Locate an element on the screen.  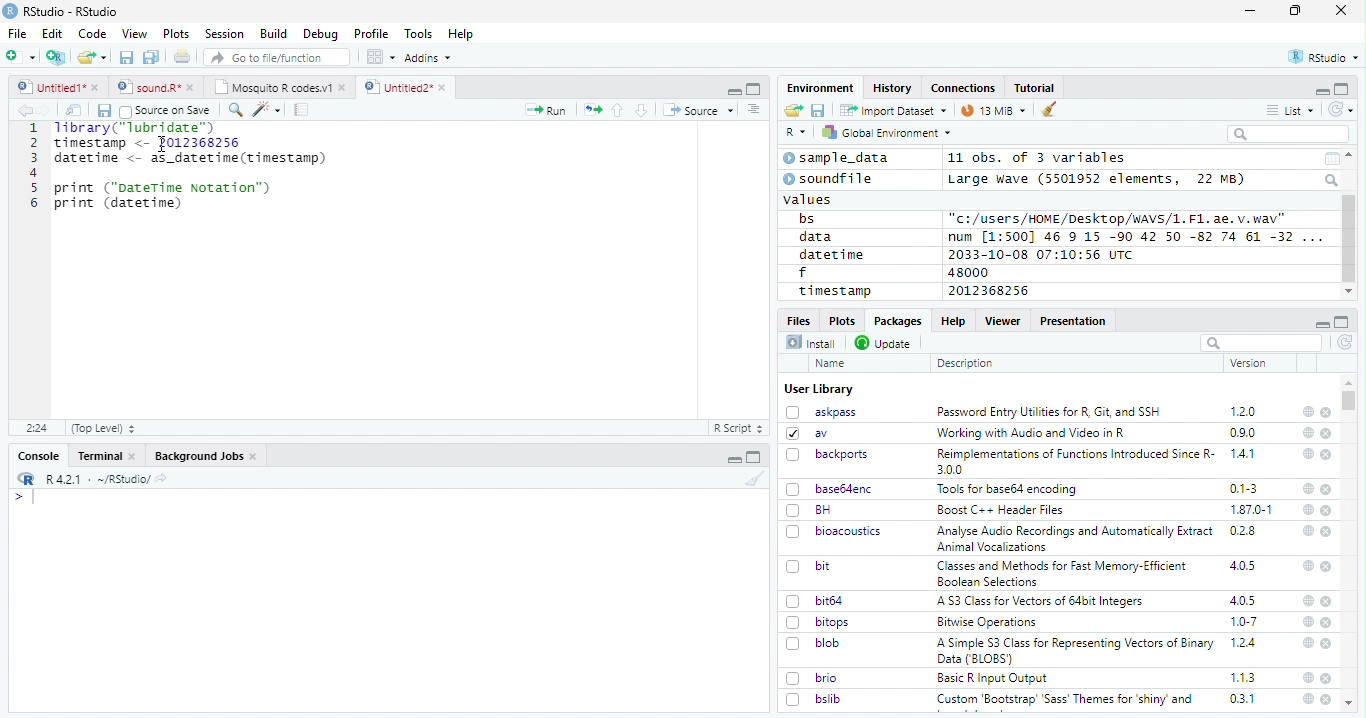
Go to previous section is located at coordinates (619, 110).